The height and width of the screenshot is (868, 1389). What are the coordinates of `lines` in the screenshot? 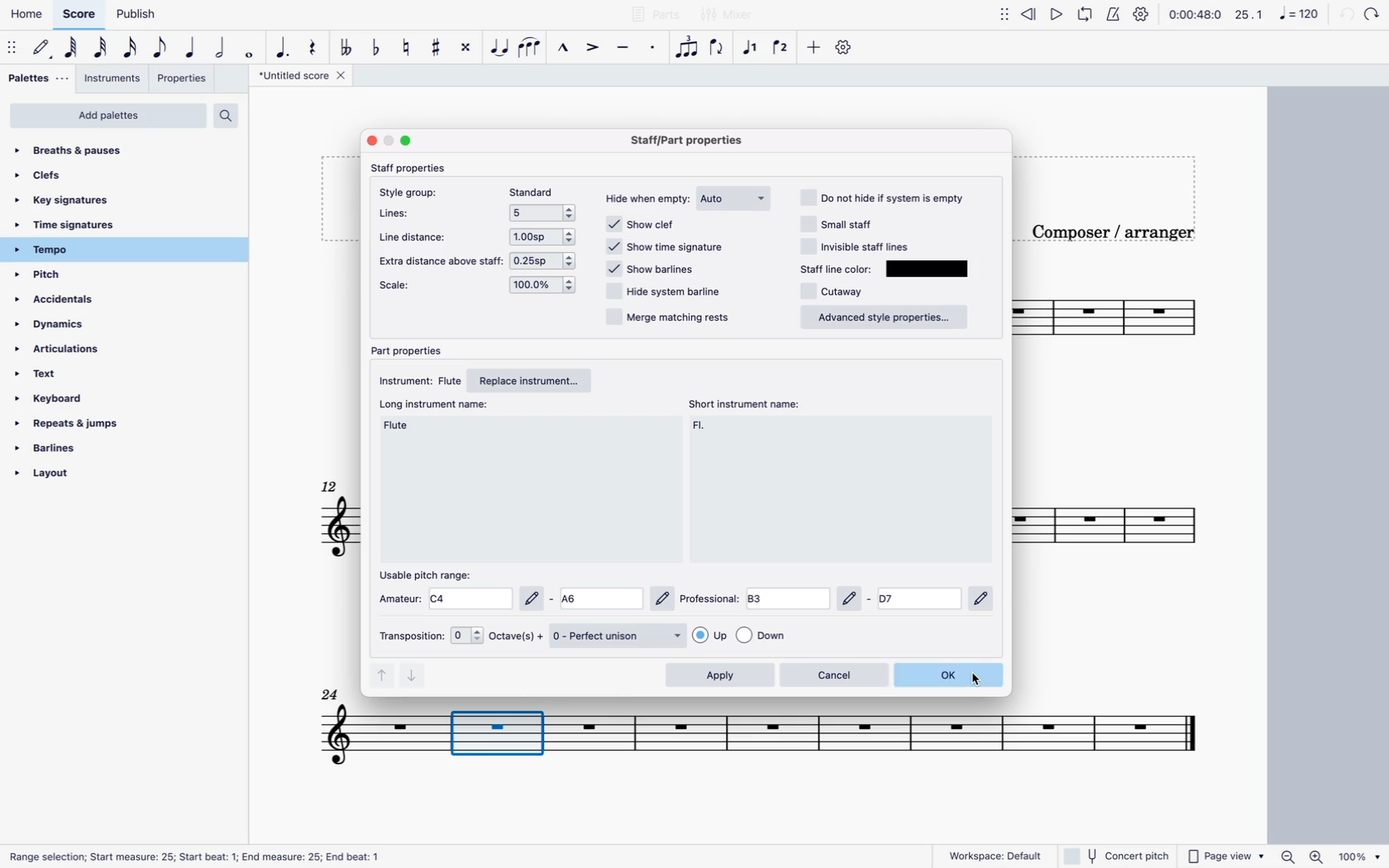 It's located at (395, 215).